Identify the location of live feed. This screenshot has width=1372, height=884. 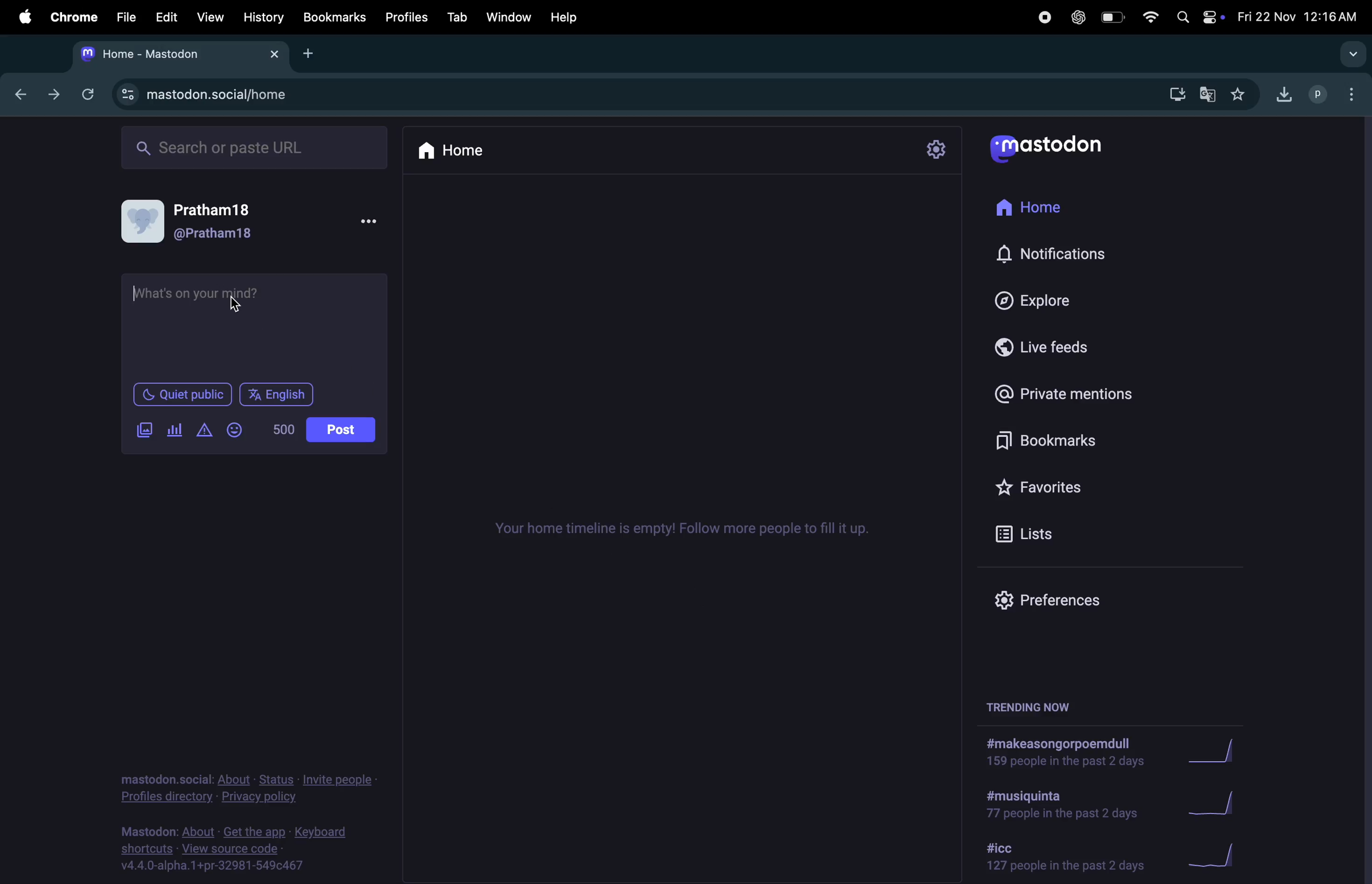
(1037, 347).